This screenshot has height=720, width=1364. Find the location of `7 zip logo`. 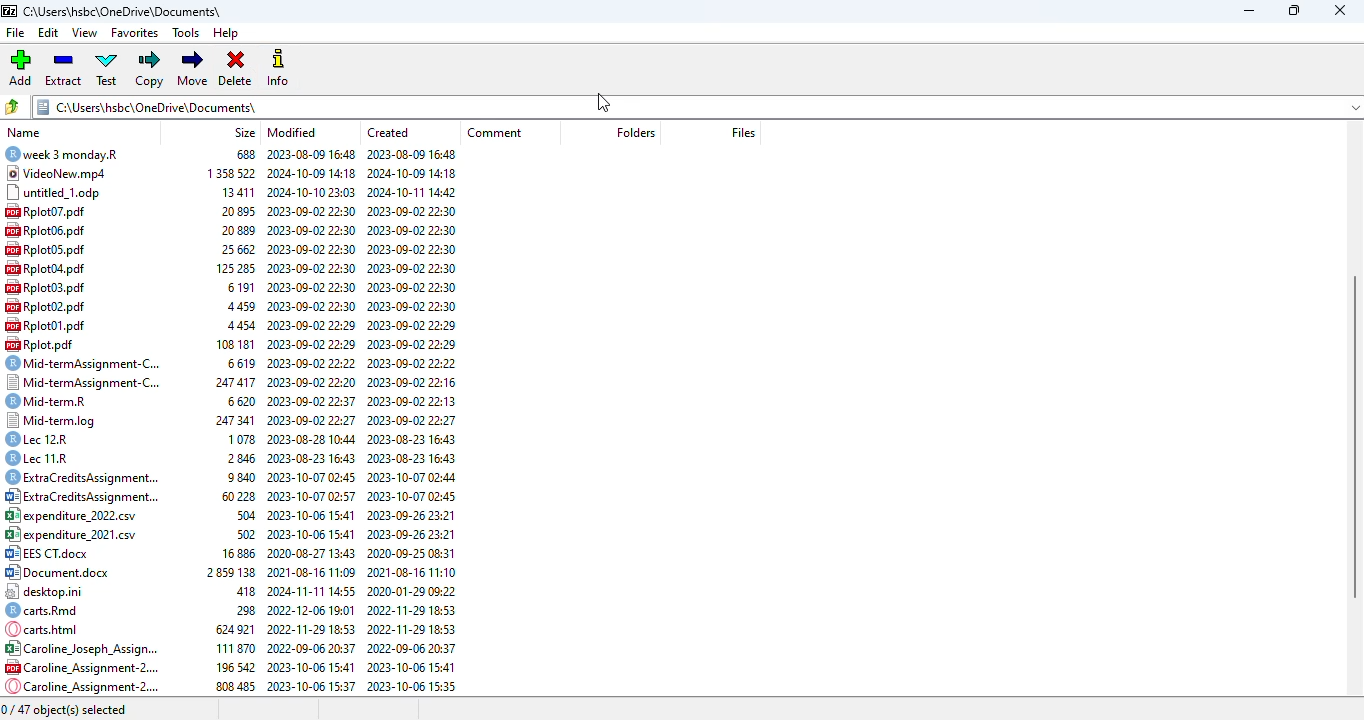

7 zip logo is located at coordinates (10, 12).